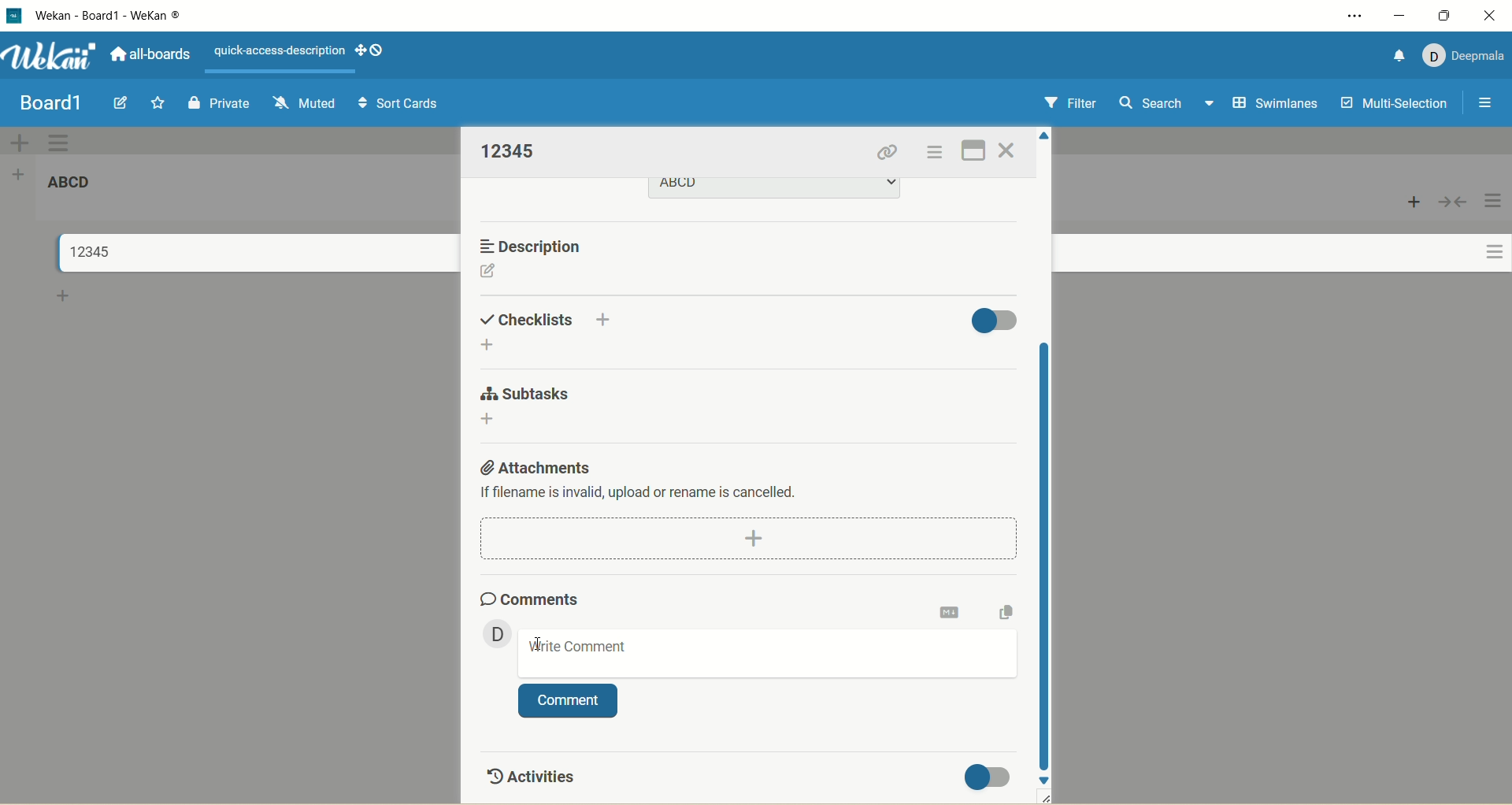 The image size is (1512, 805). What do you see at coordinates (528, 317) in the screenshot?
I see `checklist` at bounding box center [528, 317].